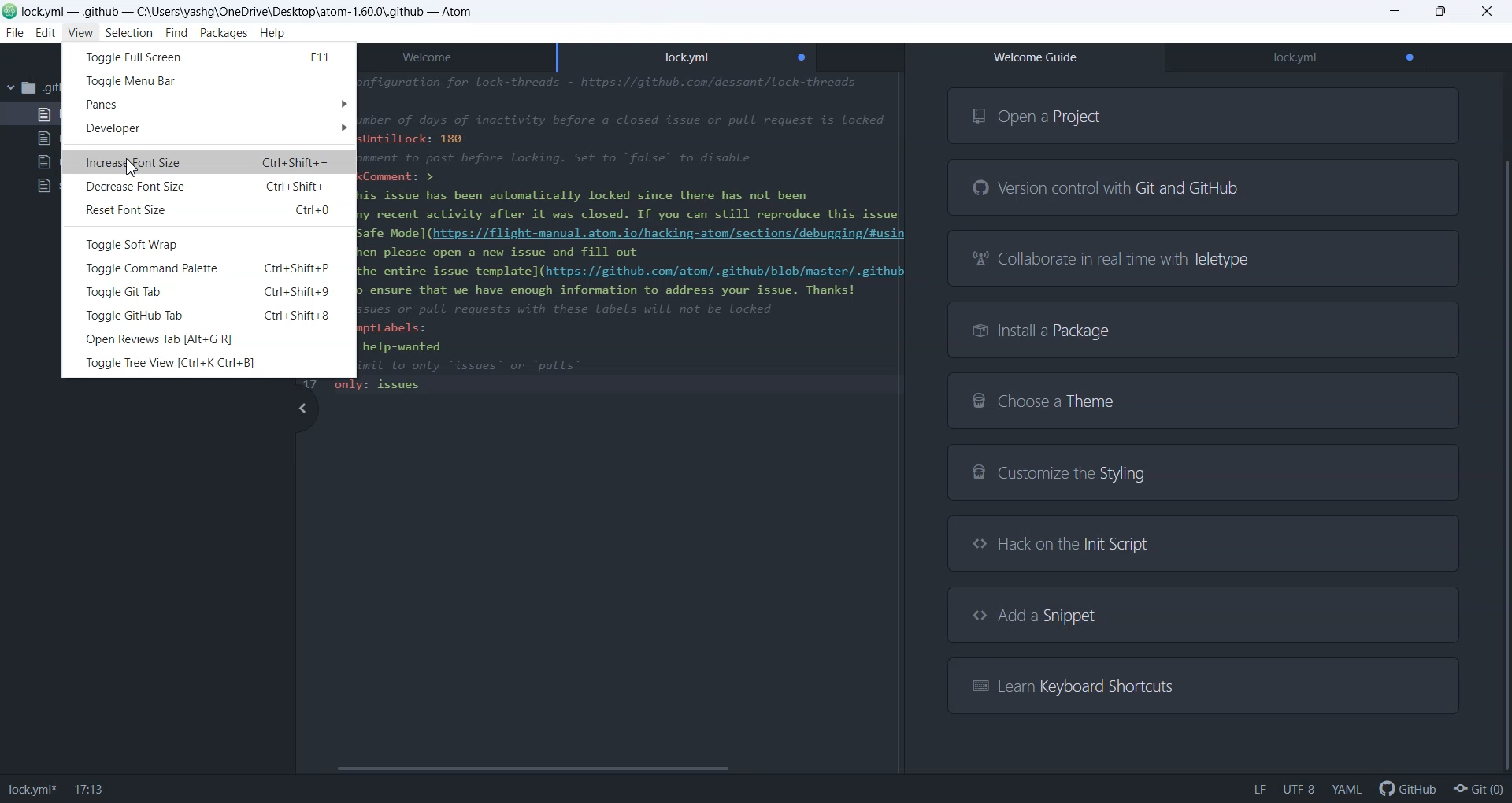 The height and width of the screenshot is (803, 1512). Describe the element at coordinates (1346, 789) in the screenshot. I see `YAML` at that location.